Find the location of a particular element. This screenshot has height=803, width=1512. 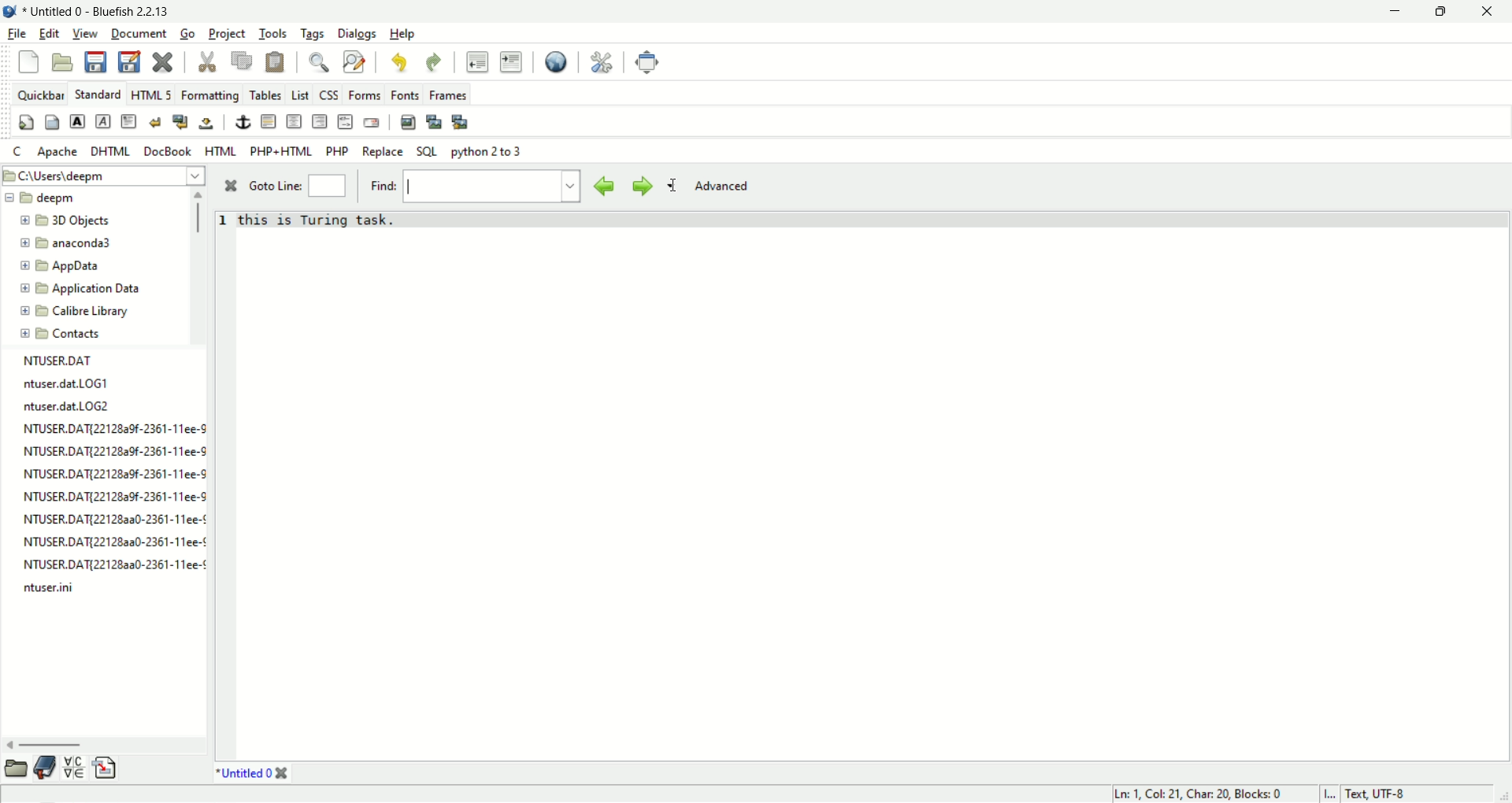

document is located at coordinates (139, 32).